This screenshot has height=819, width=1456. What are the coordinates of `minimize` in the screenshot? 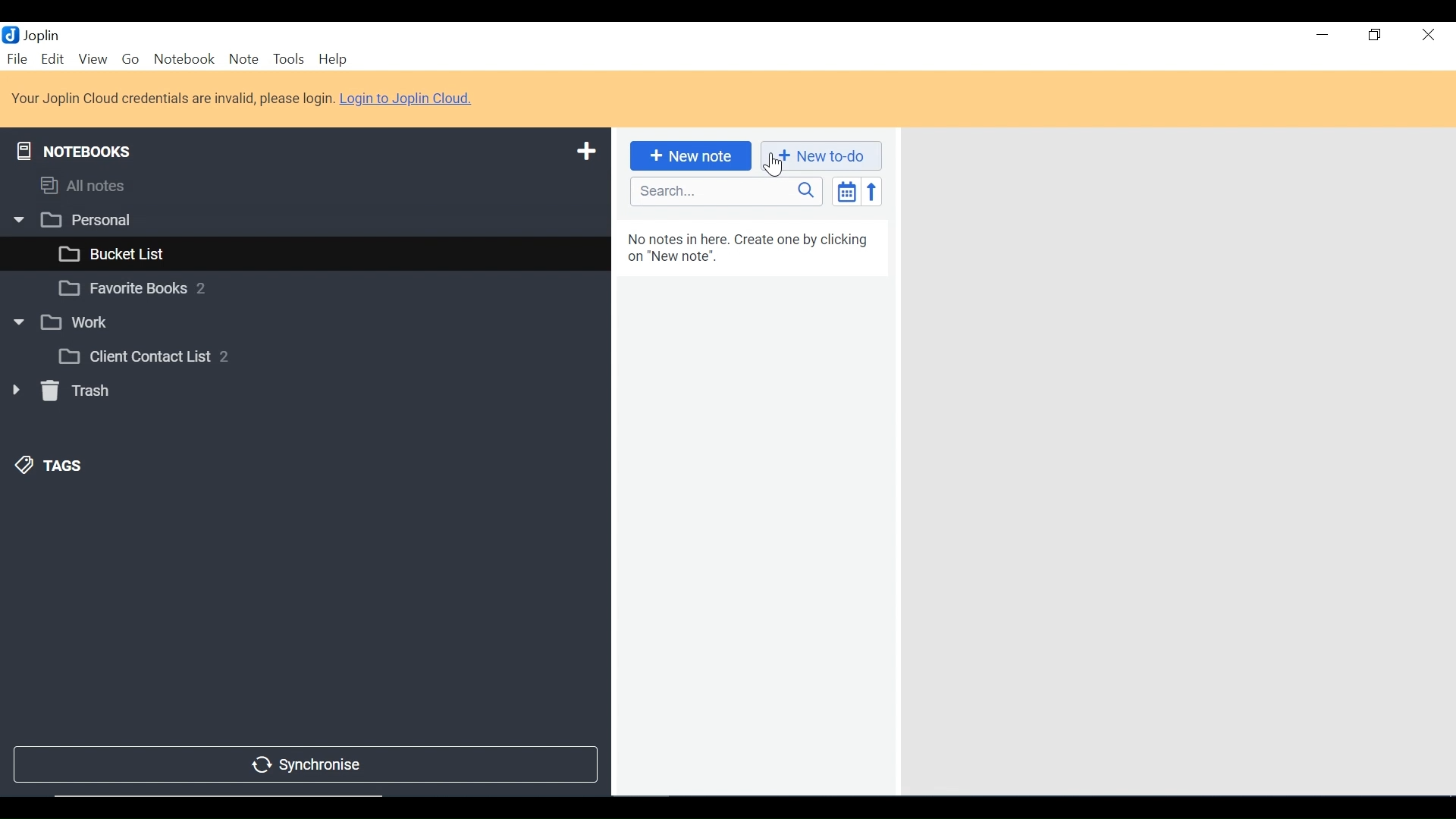 It's located at (1323, 37).